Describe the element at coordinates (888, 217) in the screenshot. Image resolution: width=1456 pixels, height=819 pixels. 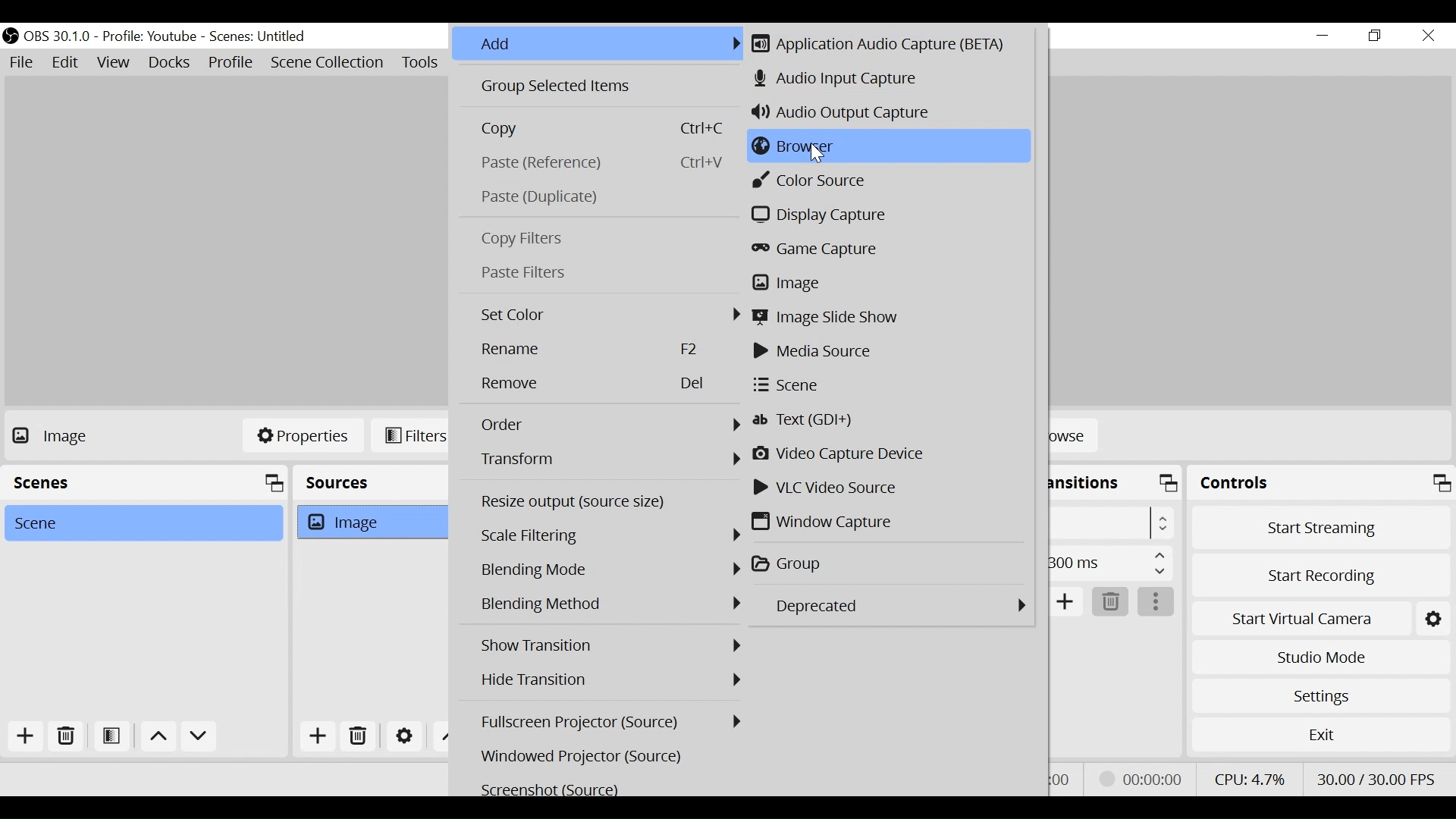
I see `Display Capture` at that location.